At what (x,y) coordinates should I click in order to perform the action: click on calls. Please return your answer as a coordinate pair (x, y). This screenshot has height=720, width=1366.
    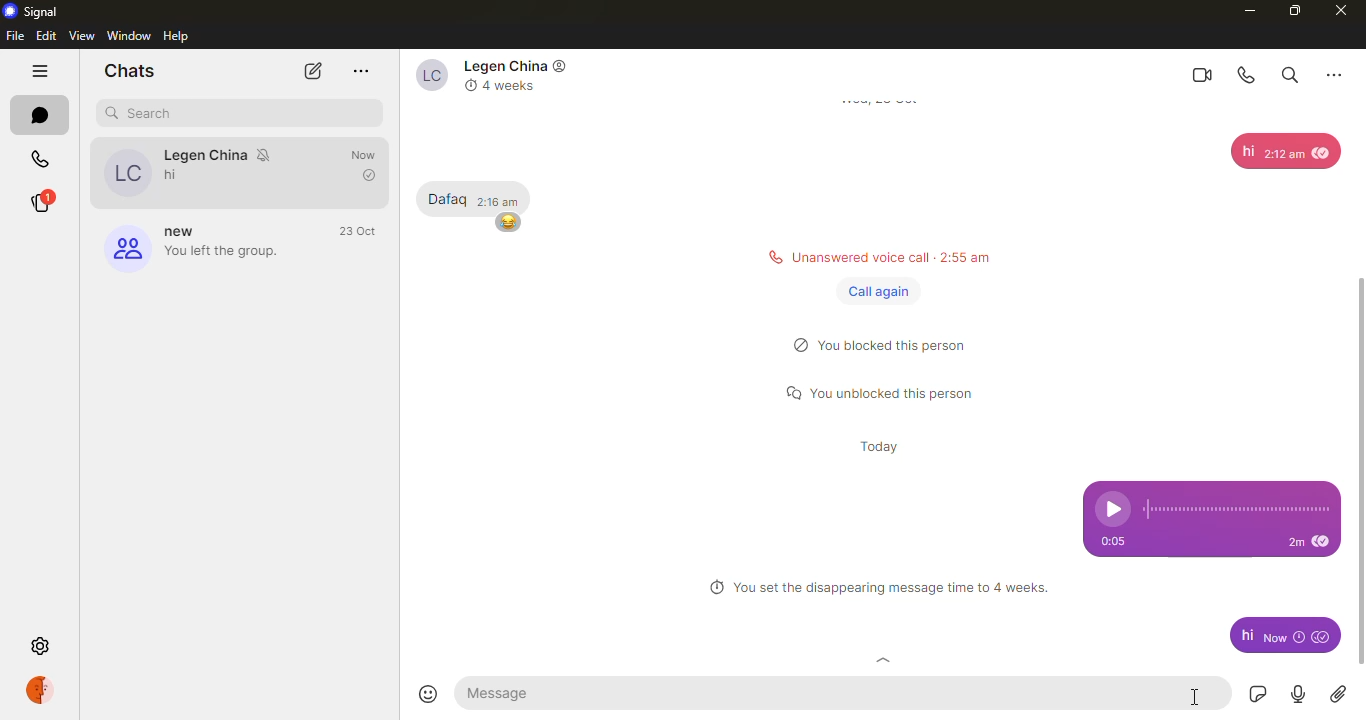
    Looking at the image, I should click on (40, 161).